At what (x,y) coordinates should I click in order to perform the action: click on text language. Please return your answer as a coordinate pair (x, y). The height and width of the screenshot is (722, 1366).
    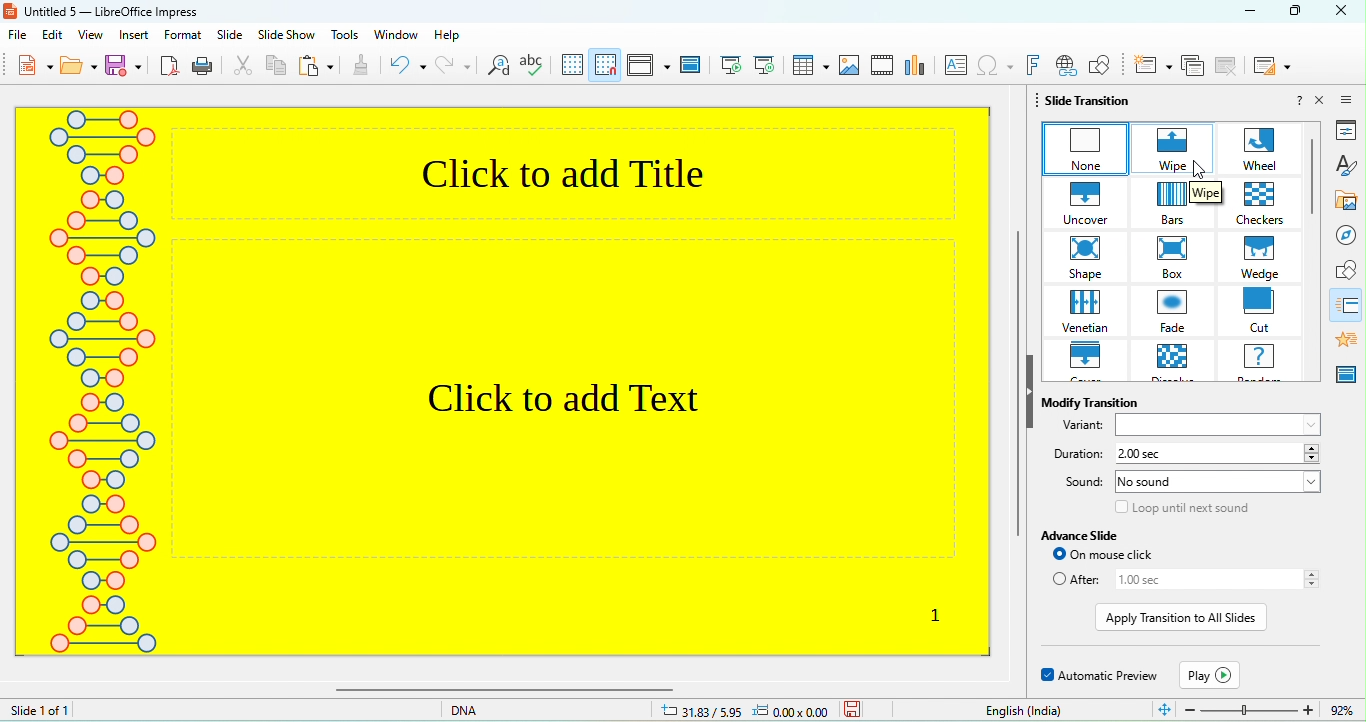
    Looking at the image, I should click on (1021, 710).